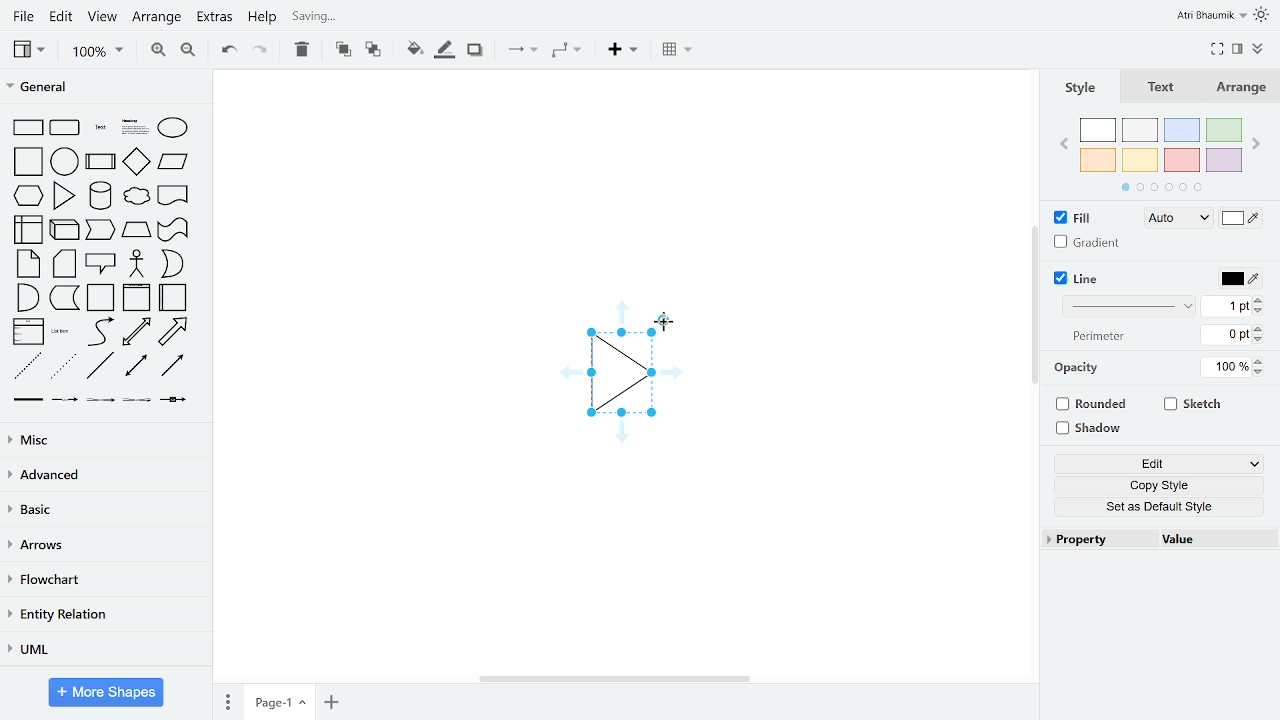 This screenshot has height=720, width=1280. Describe the element at coordinates (101, 161) in the screenshot. I see `process` at that location.